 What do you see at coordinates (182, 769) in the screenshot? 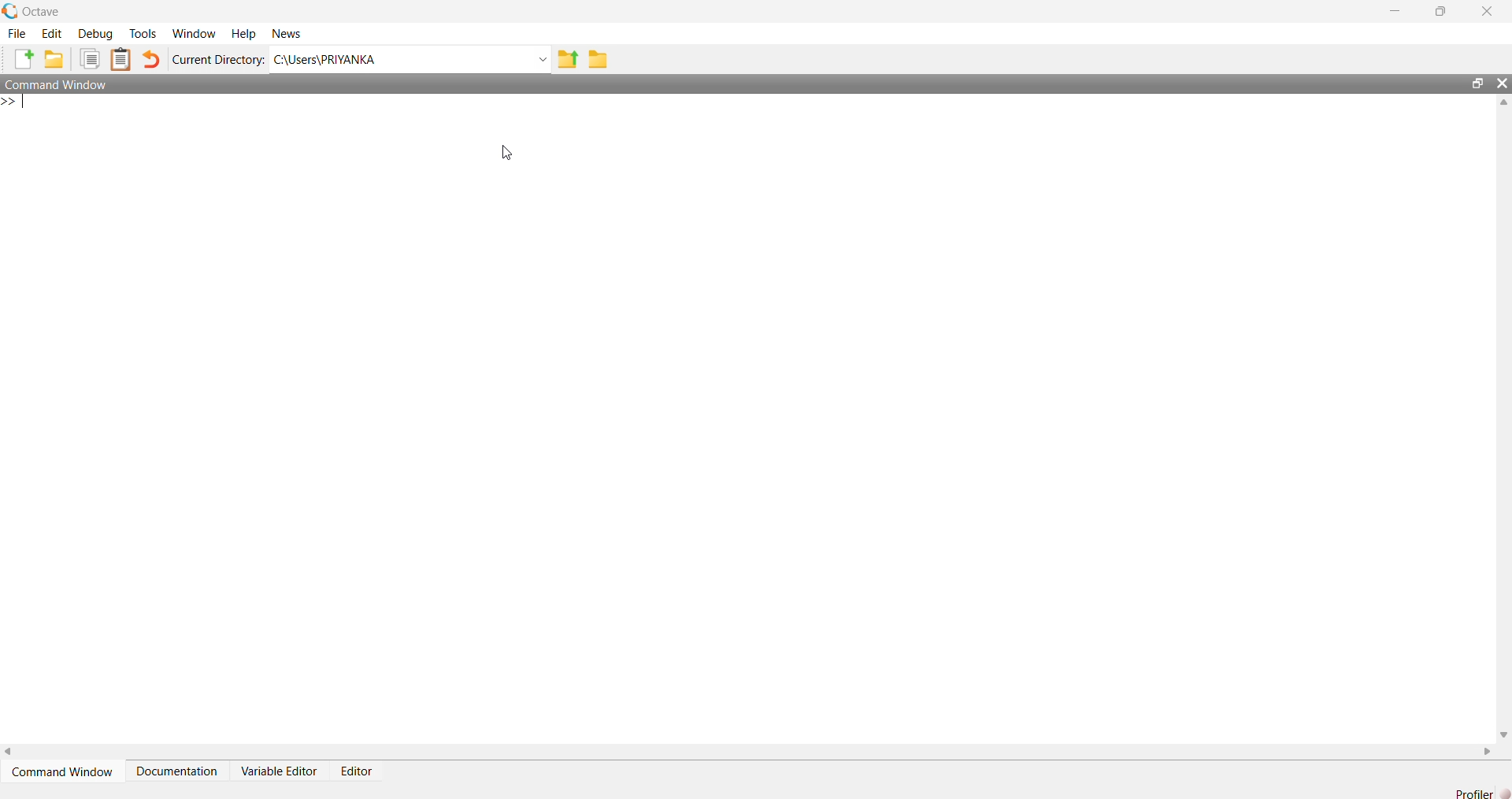
I see `Documentation` at bounding box center [182, 769].